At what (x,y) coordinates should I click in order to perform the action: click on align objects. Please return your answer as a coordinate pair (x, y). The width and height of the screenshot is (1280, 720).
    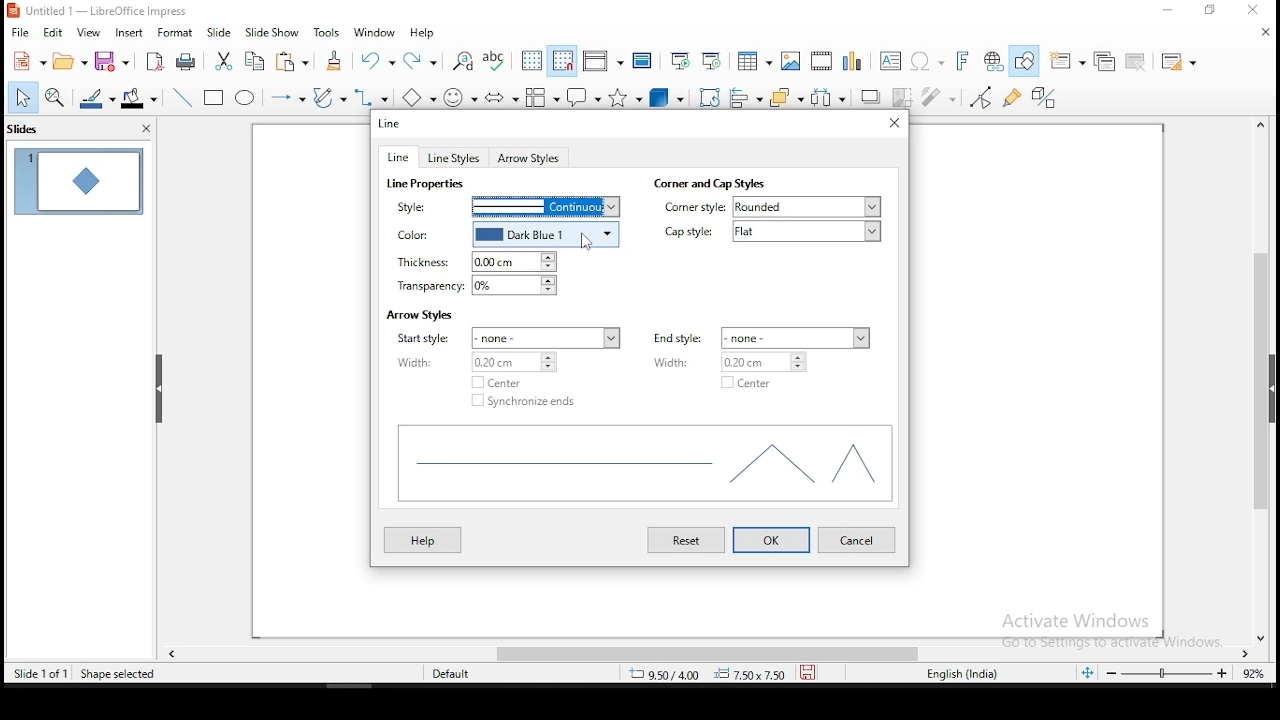
    Looking at the image, I should click on (744, 94).